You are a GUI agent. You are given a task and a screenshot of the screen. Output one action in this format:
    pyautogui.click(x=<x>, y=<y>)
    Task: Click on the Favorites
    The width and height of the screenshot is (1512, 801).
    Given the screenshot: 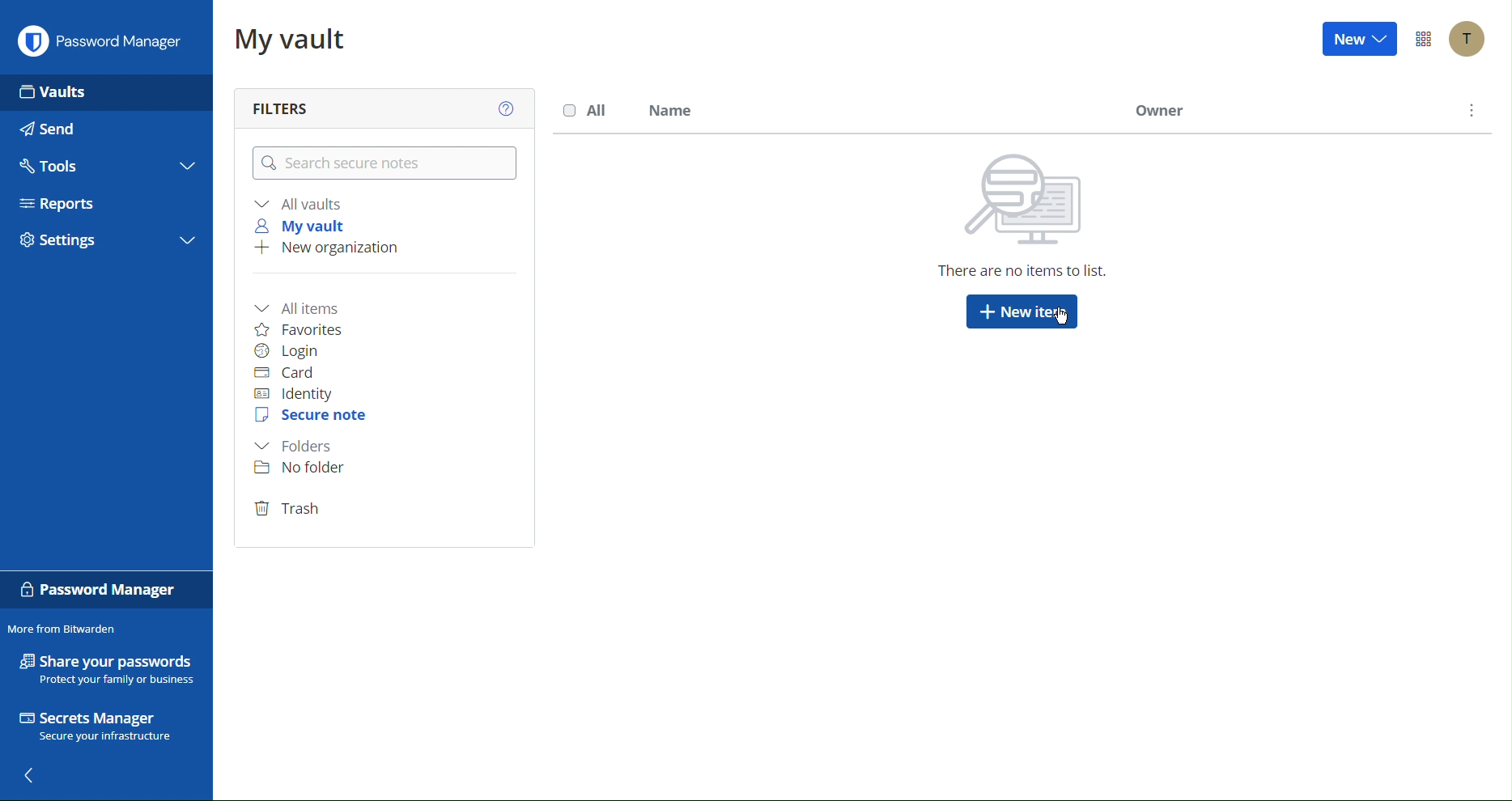 What is the action you would take?
    pyautogui.click(x=304, y=328)
    